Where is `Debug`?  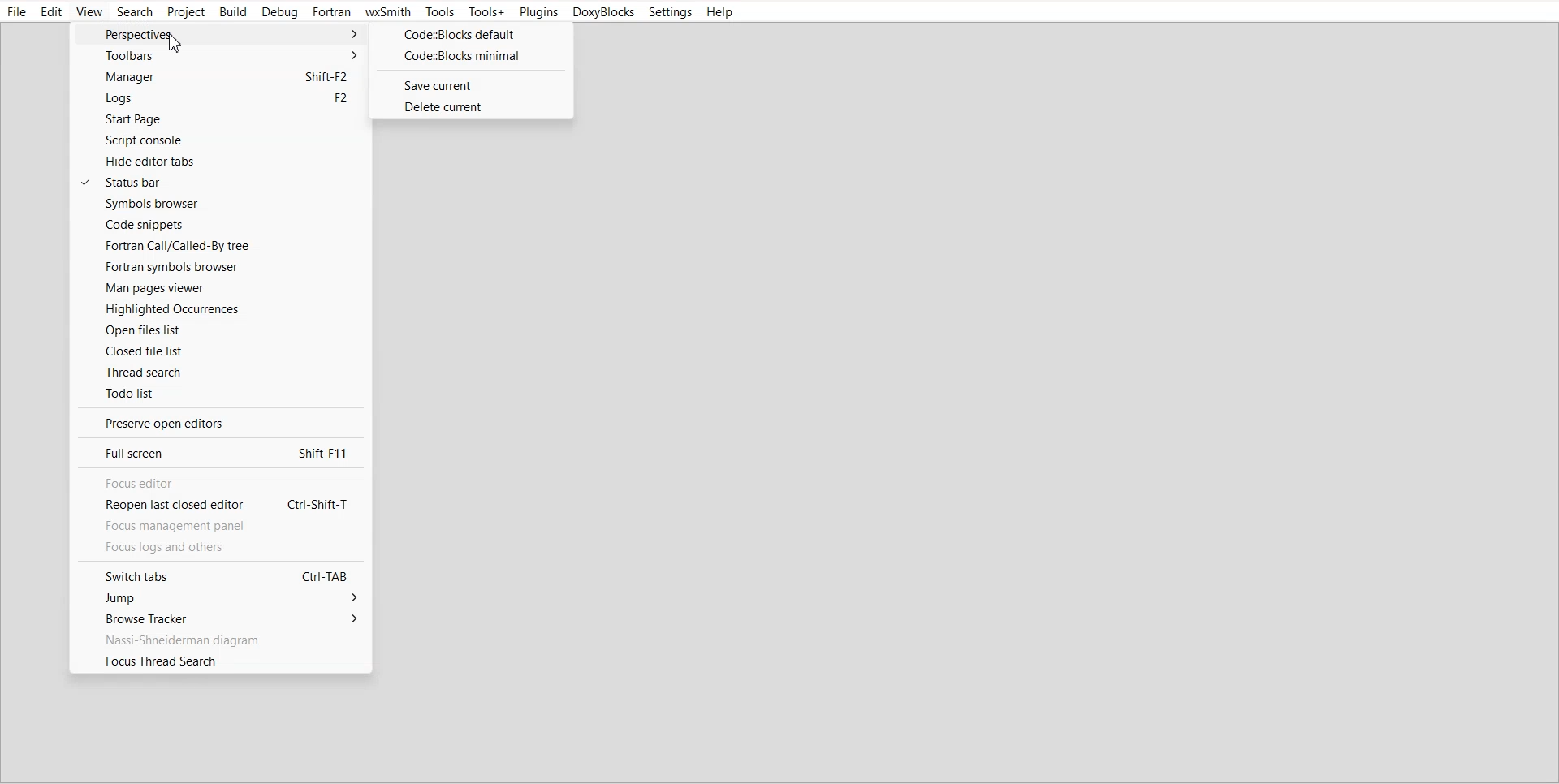
Debug is located at coordinates (281, 13).